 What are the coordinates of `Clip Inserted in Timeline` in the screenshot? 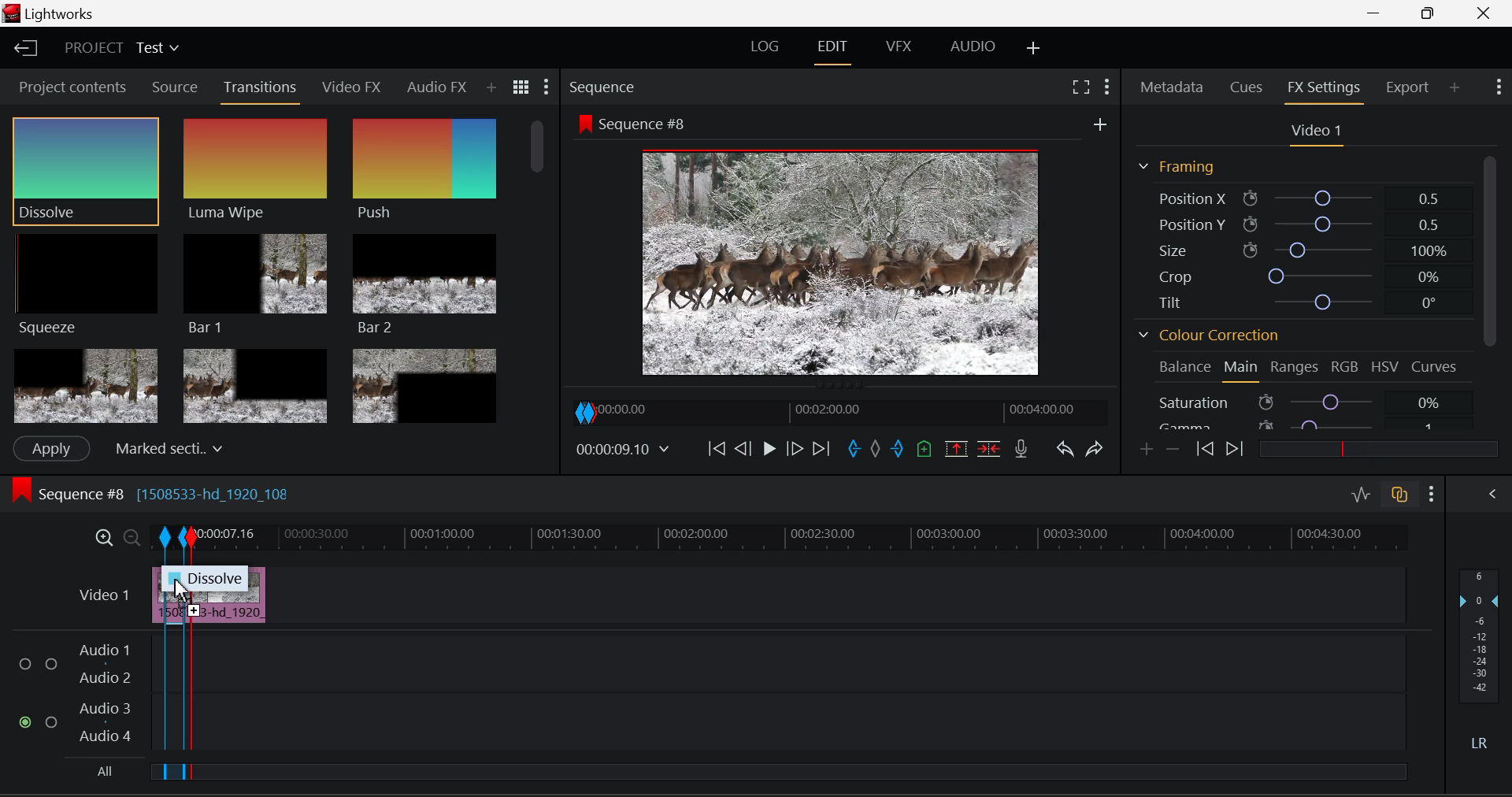 It's located at (231, 608).